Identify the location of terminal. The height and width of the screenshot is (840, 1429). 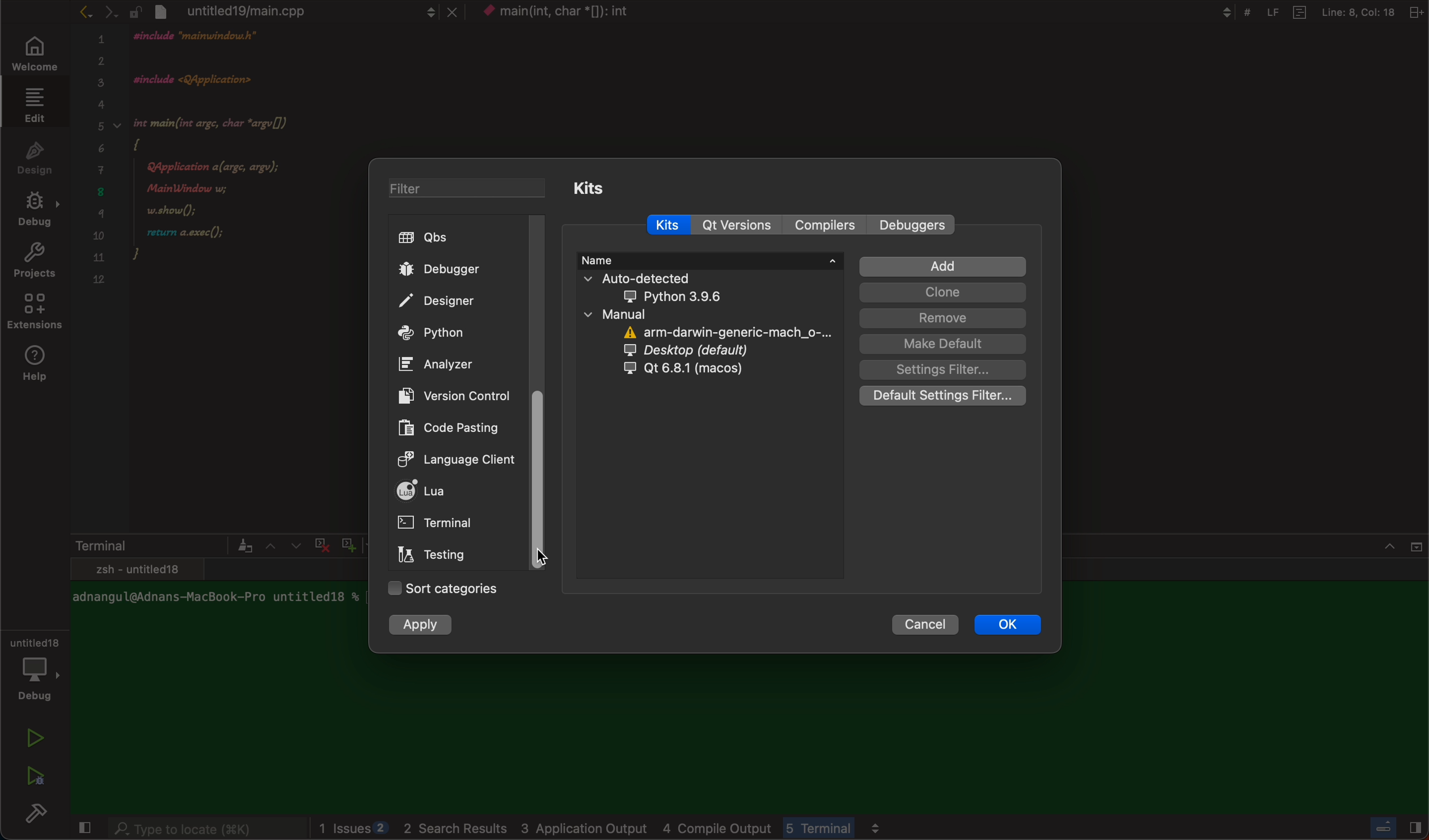
(445, 524).